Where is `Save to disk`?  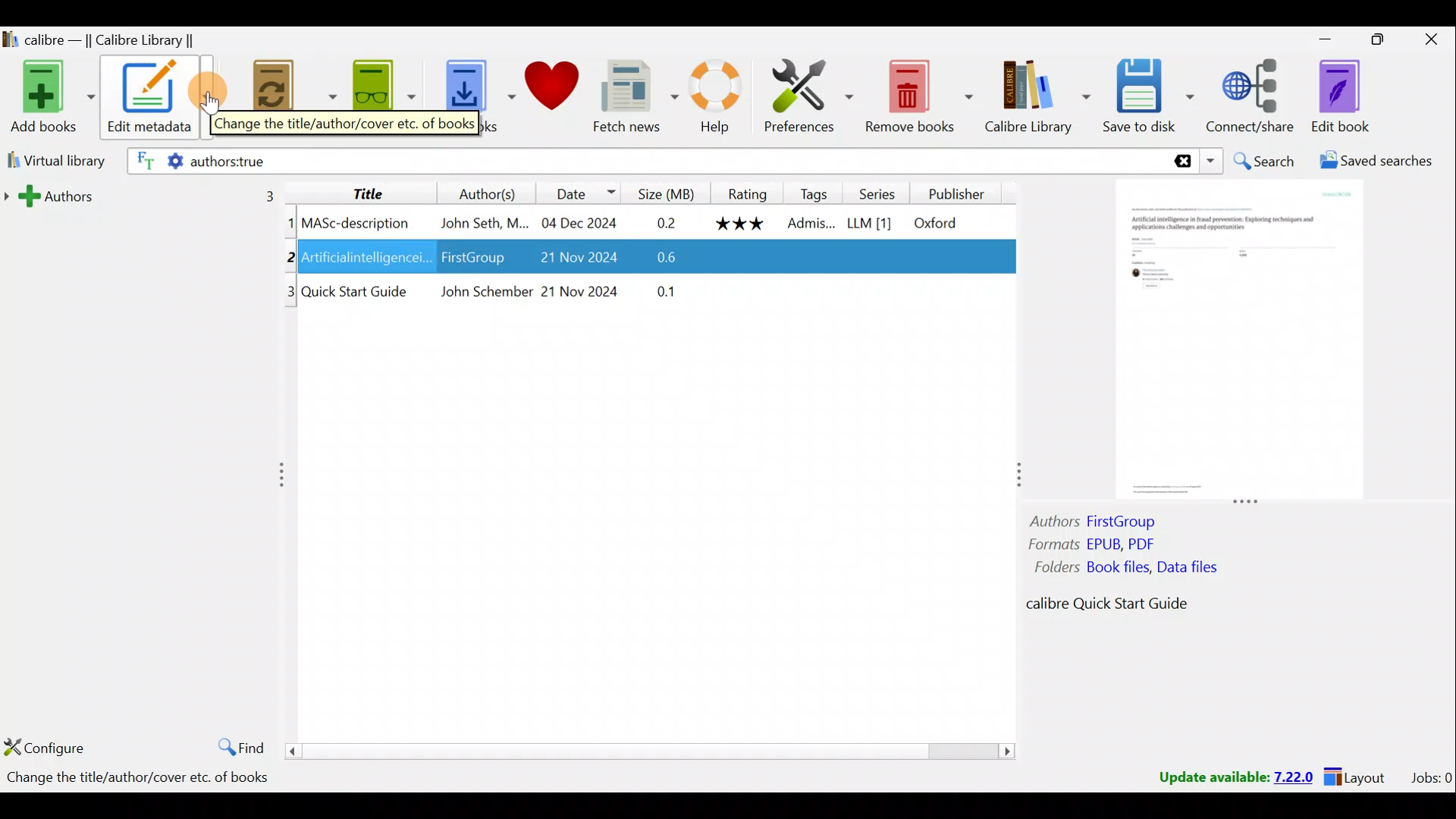
Save to disk is located at coordinates (1146, 96).